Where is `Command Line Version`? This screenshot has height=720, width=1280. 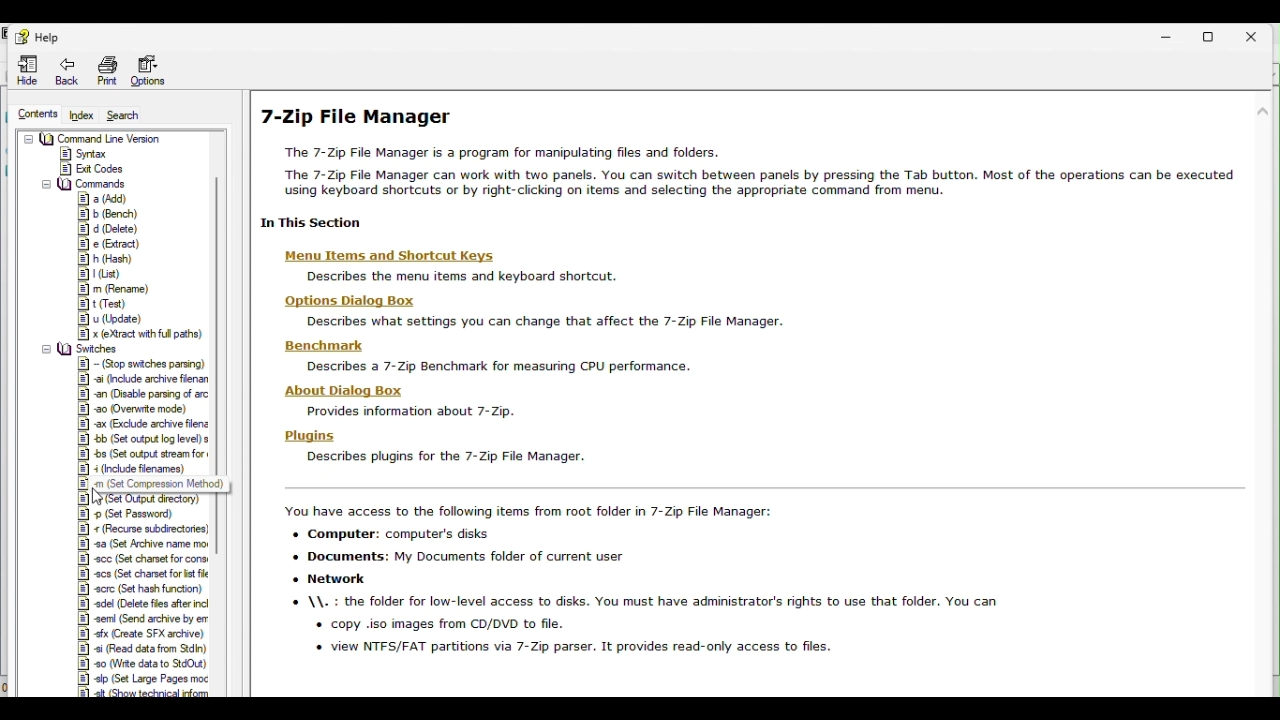
Command Line Version is located at coordinates (97, 138).